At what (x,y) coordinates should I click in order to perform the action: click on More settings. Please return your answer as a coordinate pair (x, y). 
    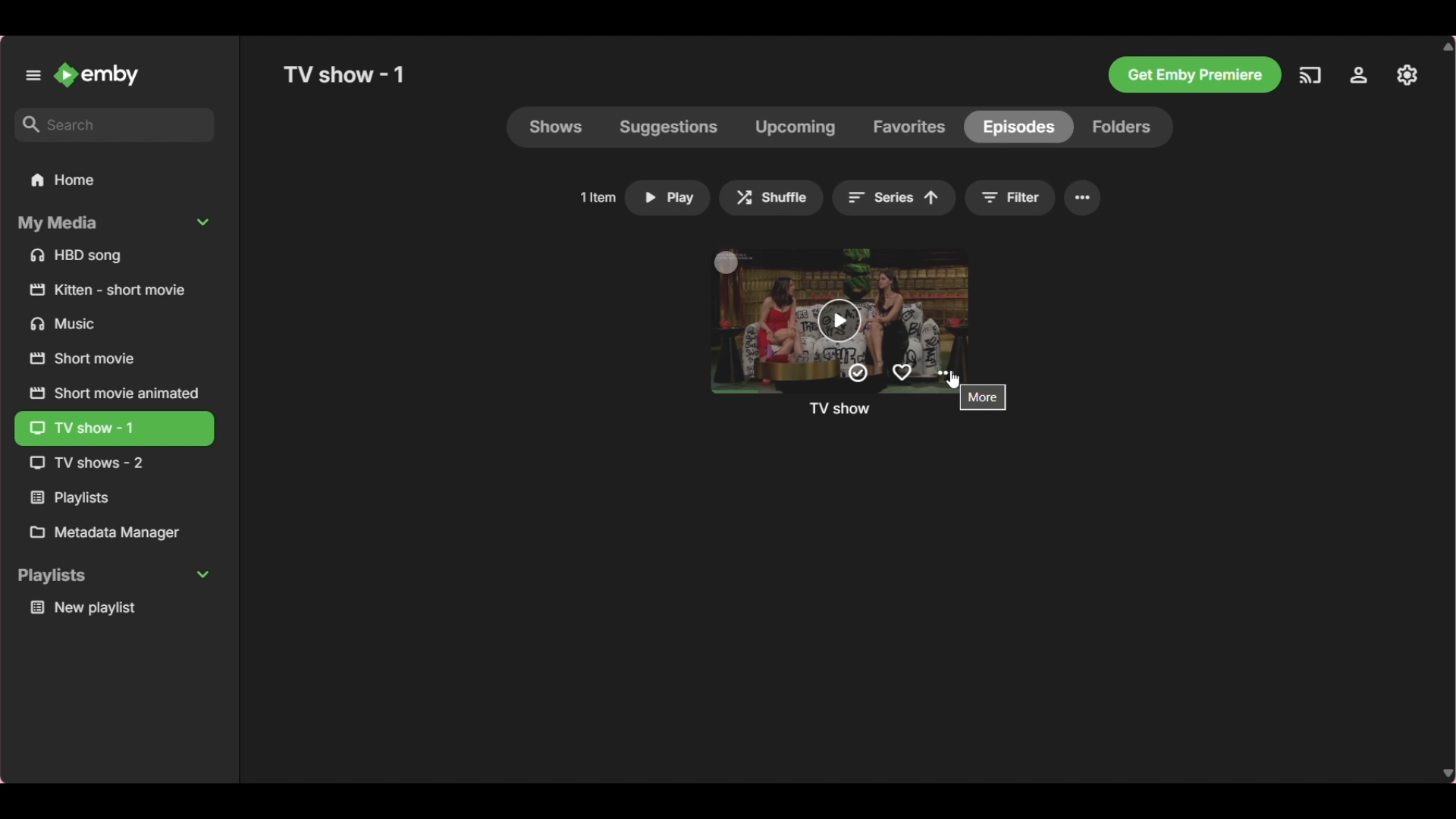
    Looking at the image, I should click on (1083, 199).